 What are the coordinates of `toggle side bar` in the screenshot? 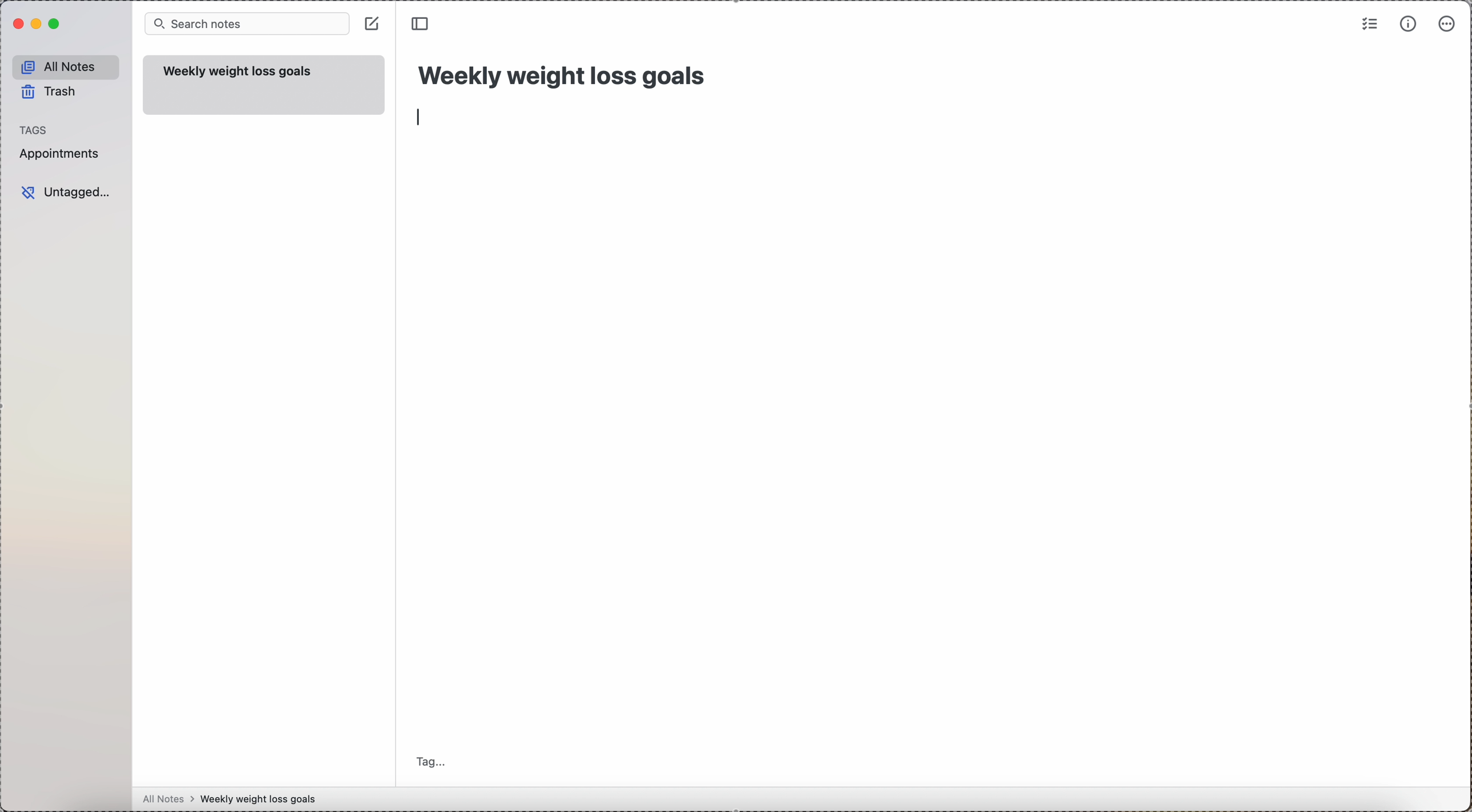 It's located at (423, 24).